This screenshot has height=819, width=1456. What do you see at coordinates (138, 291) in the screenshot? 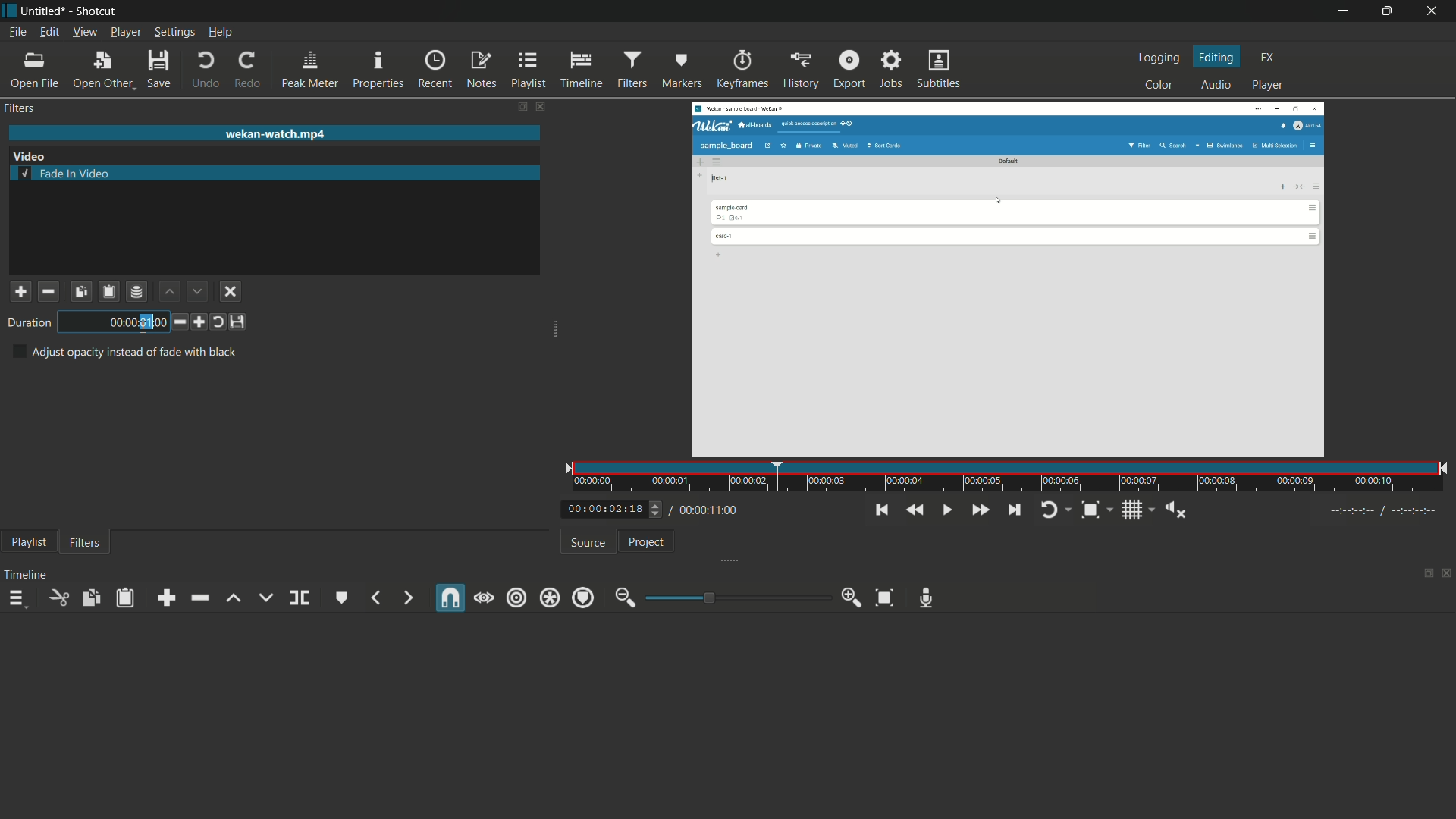
I see `save filter set` at bounding box center [138, 291].